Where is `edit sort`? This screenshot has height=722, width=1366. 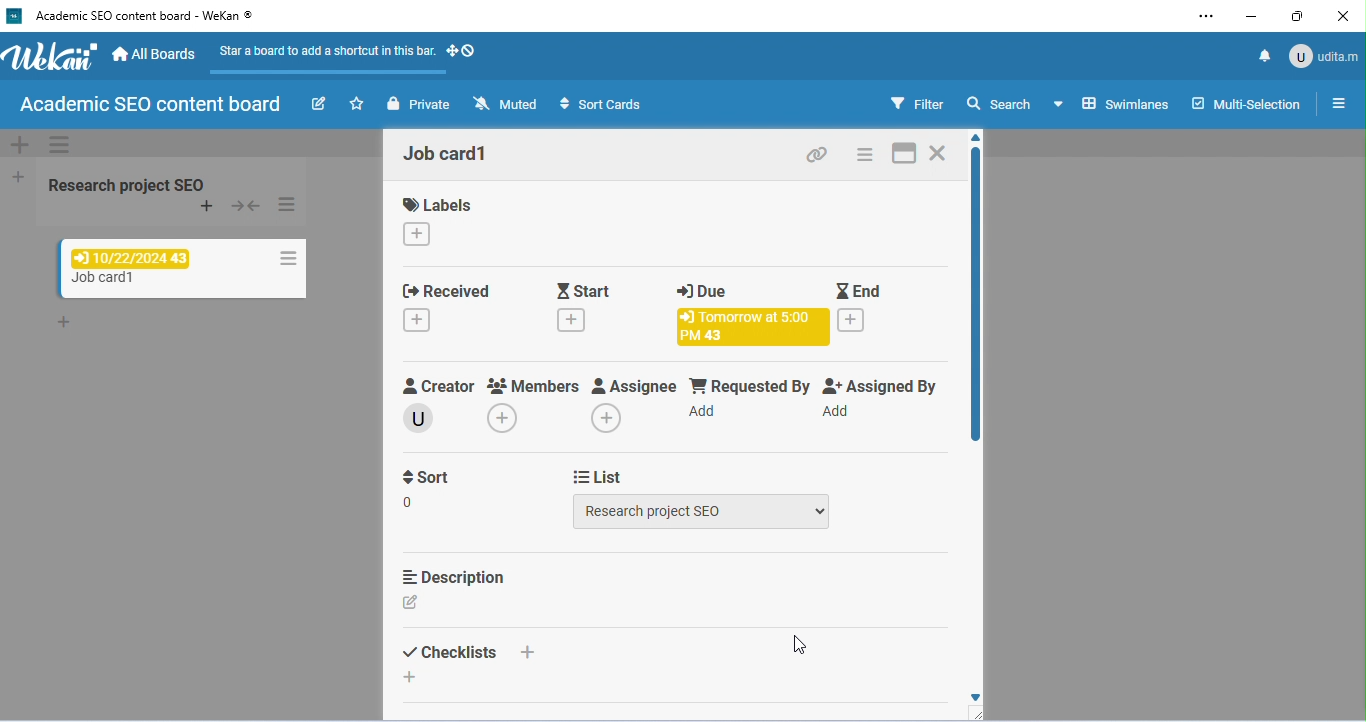
edit sort is located at coordinates (410, 500).